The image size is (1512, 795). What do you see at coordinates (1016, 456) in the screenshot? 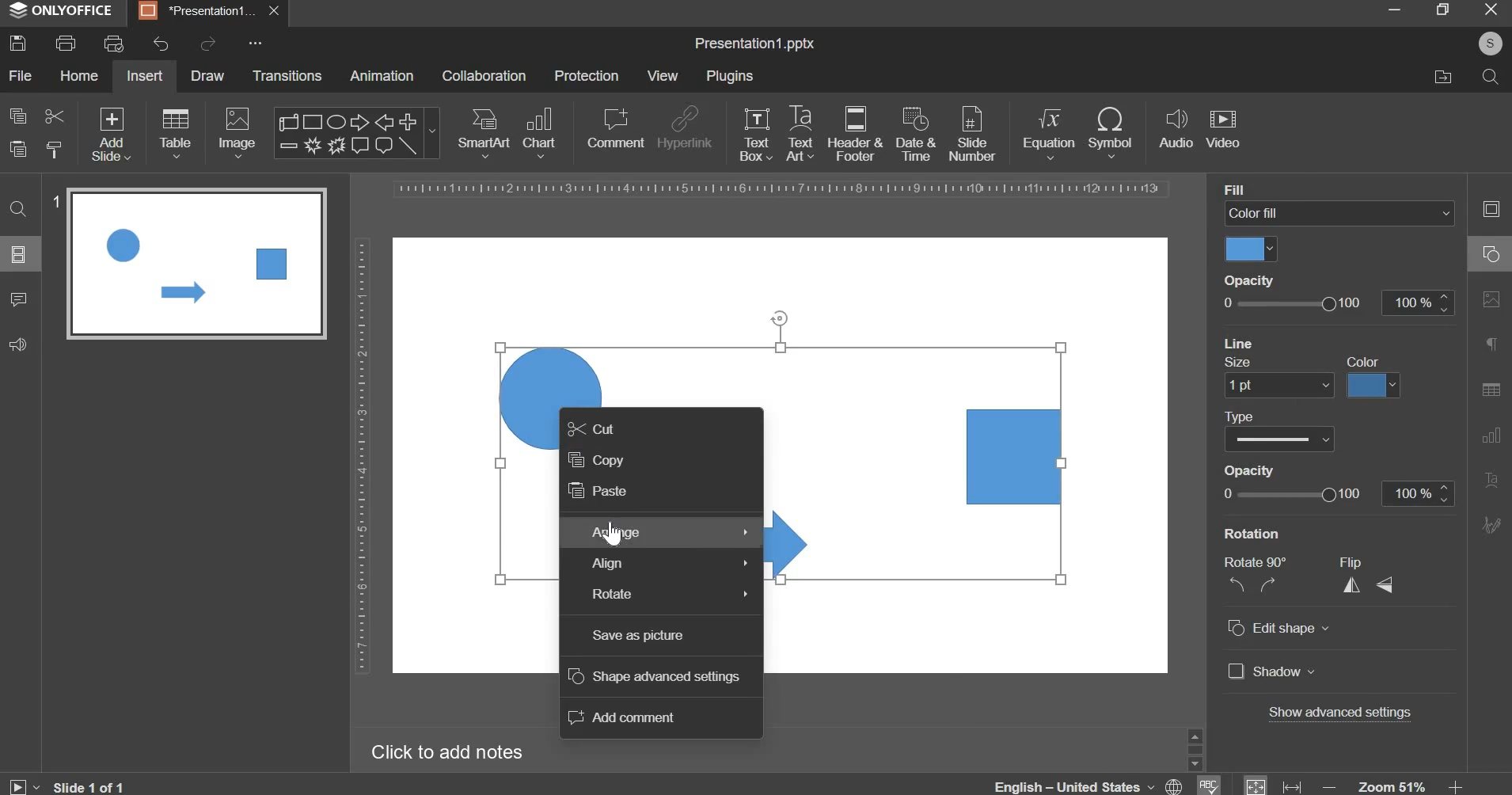
I see `rectangle` at bounding box center [1016, 456].